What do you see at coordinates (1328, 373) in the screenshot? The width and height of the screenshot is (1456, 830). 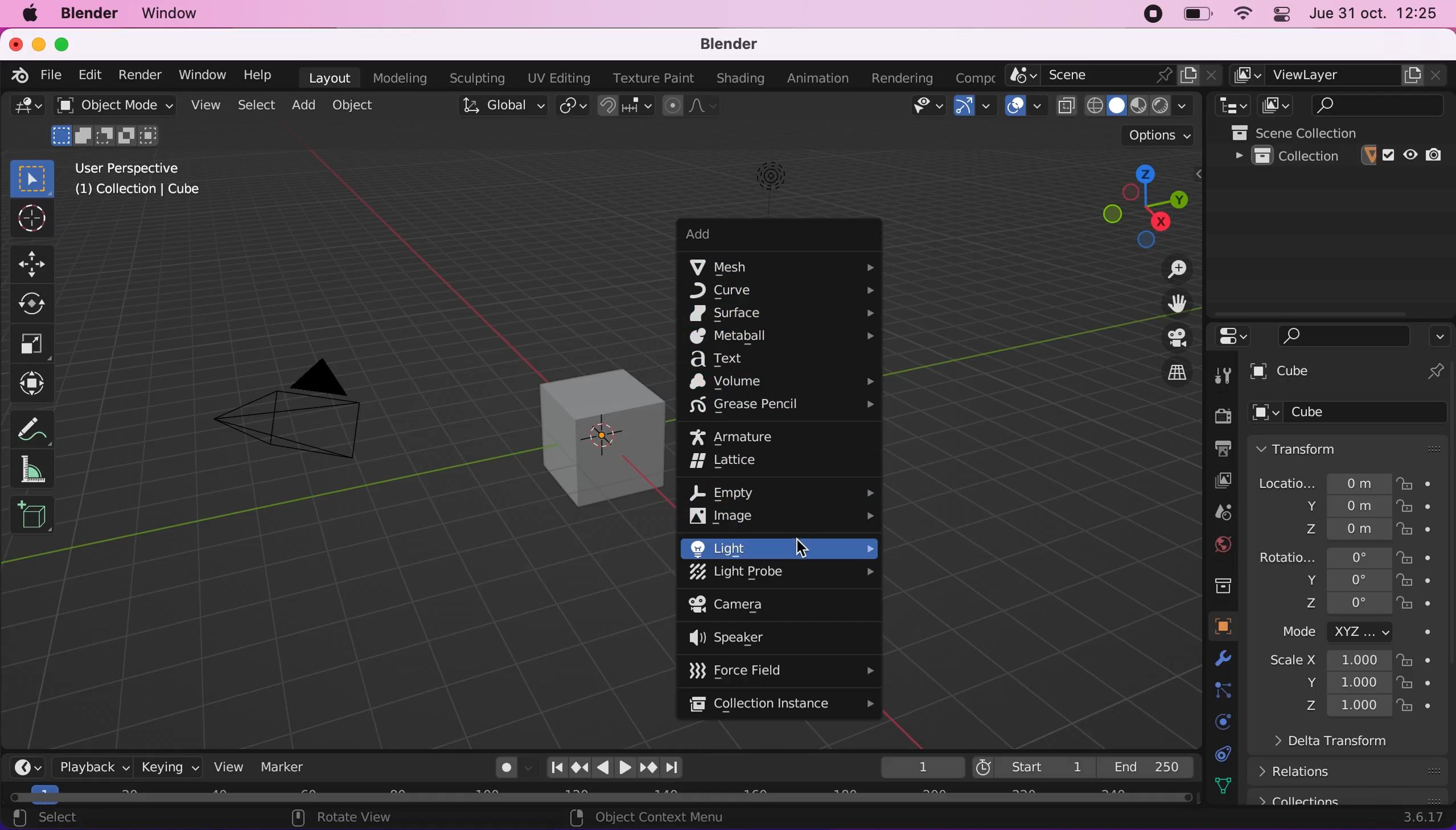 I see `cube` at bounding box center [1328, 373].